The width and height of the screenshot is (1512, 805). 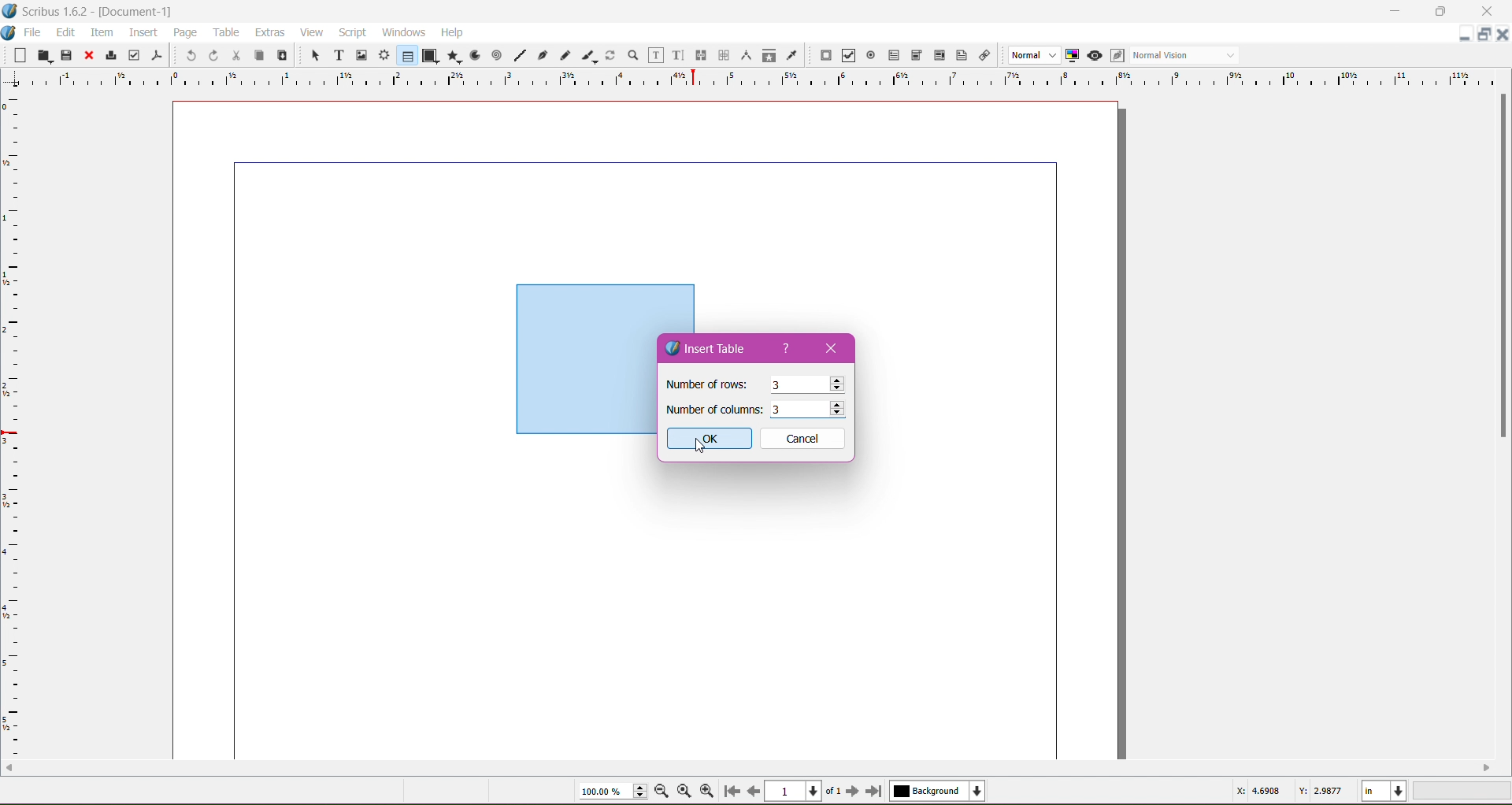 I want to click on Item, so click(x=102, y=32).